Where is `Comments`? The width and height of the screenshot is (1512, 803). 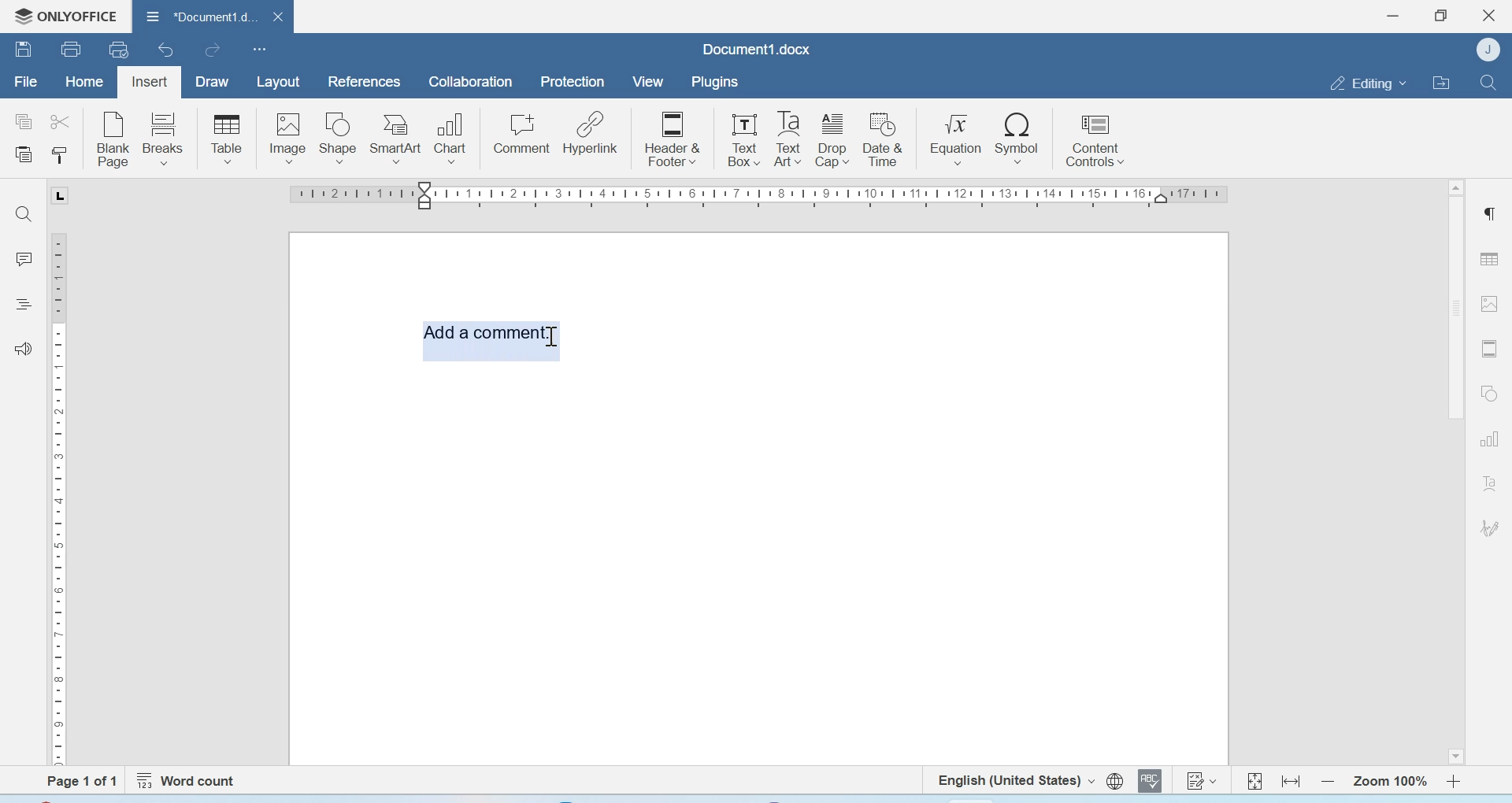
Comments is located at coordinates (23, 259).